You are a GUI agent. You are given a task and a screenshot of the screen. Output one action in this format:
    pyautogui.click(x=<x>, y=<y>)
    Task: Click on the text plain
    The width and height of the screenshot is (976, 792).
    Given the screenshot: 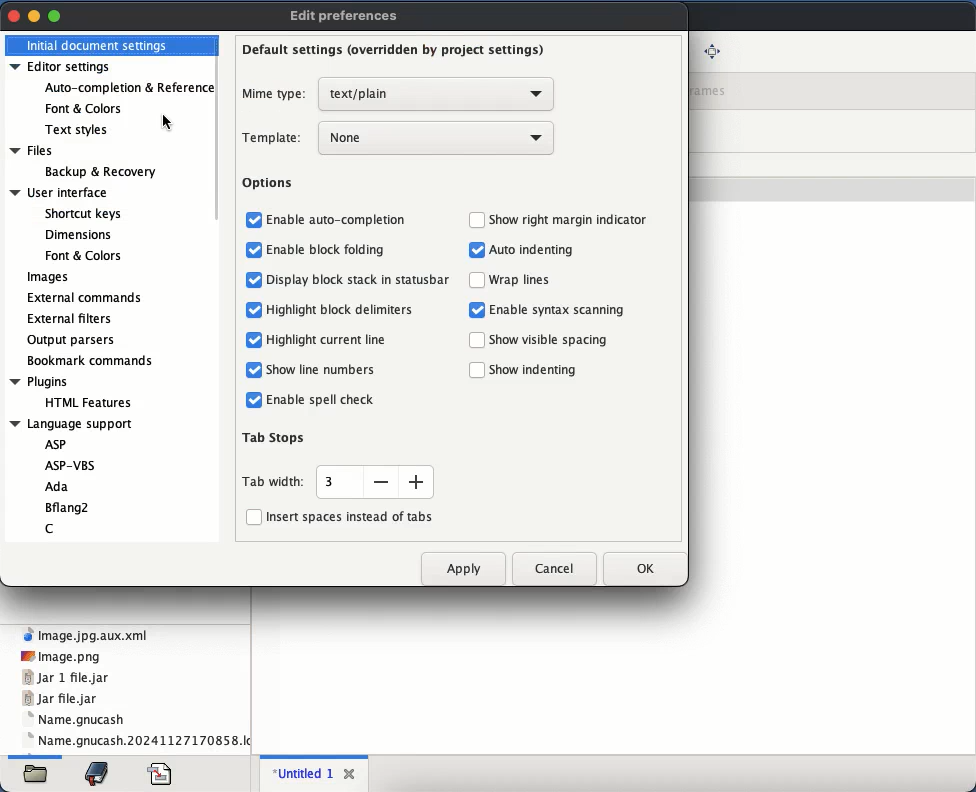 What is the action you would take?
    pyautogui.click(x=438, y=95)
    